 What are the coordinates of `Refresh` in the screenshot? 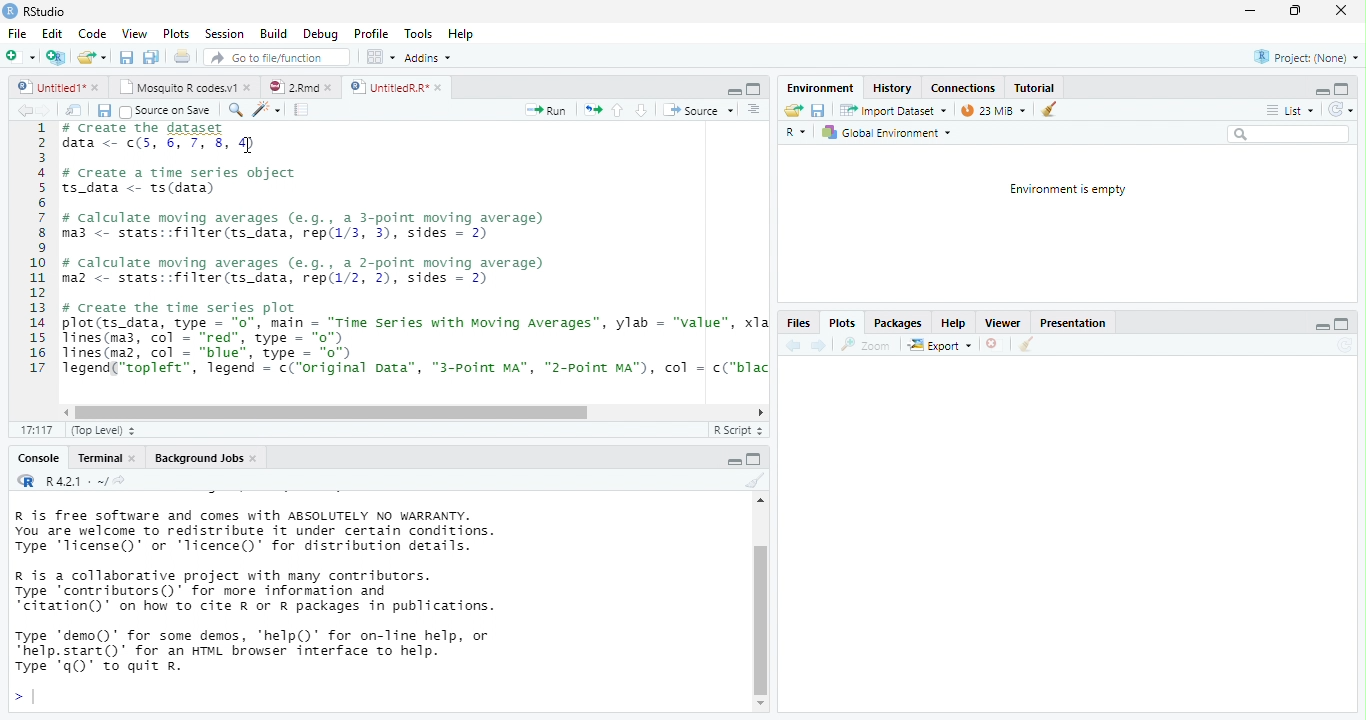 It's located at (1341, 110).